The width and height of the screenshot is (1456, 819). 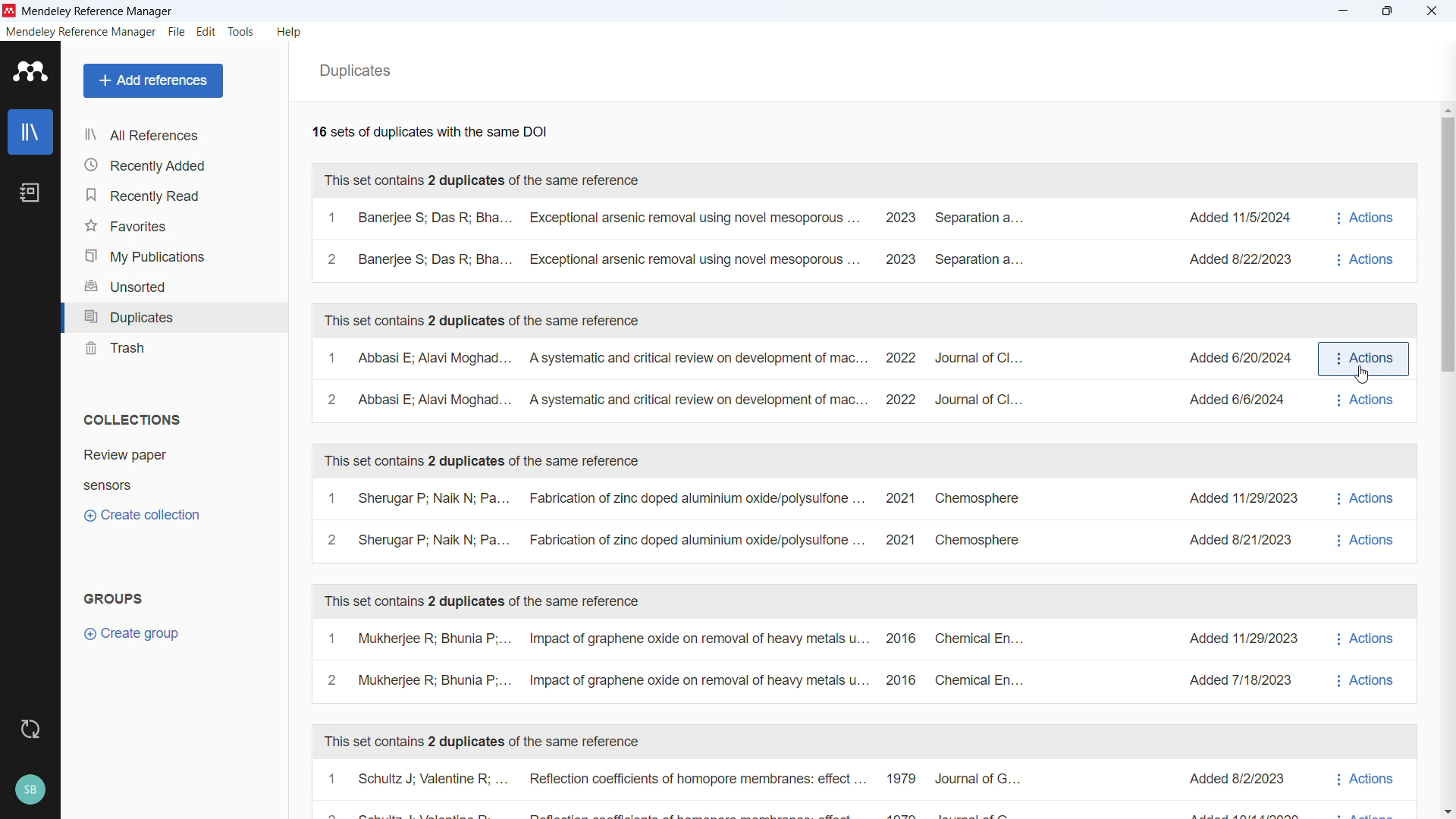 I want to click on Scroll up , so click(x=1447, y=110).